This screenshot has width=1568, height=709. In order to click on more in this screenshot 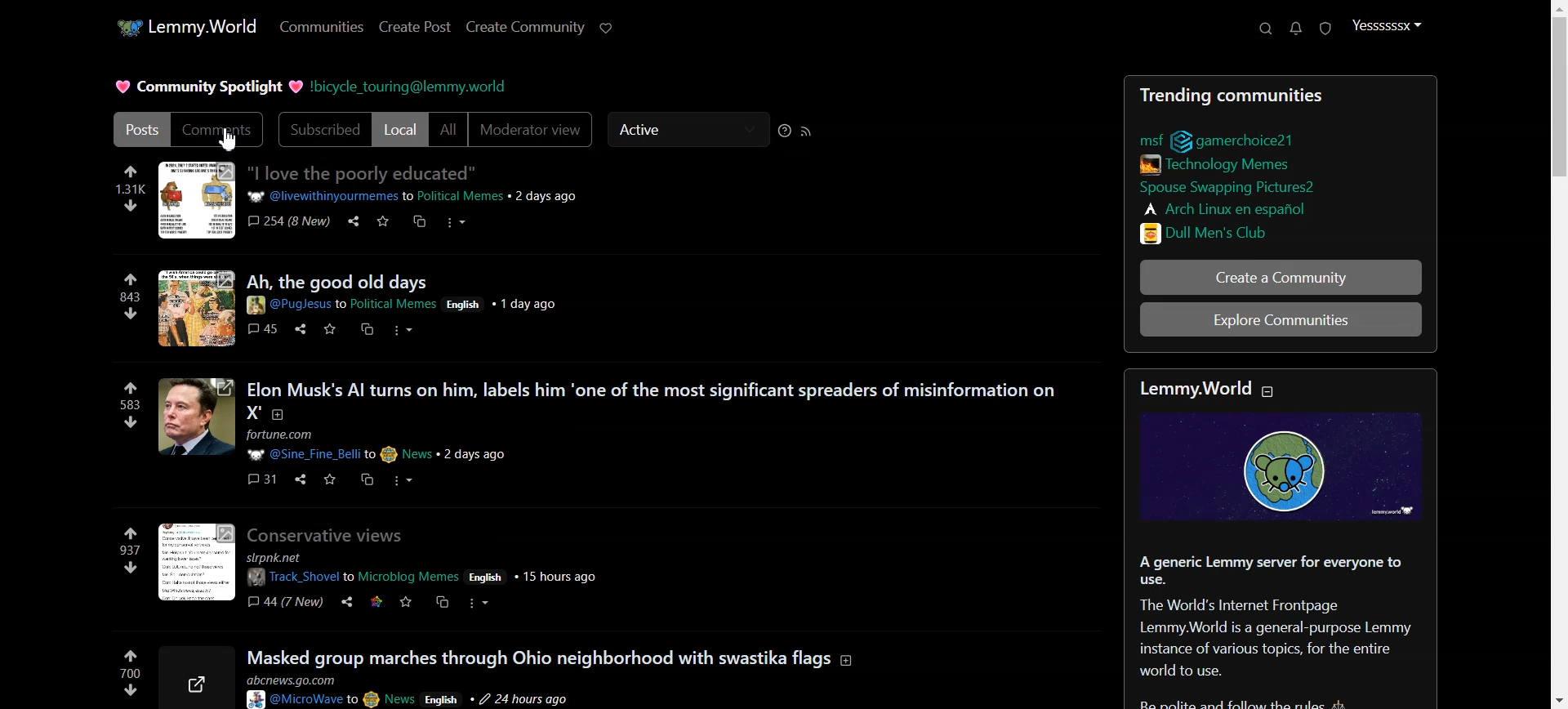, I will do `click(399, 331)`.